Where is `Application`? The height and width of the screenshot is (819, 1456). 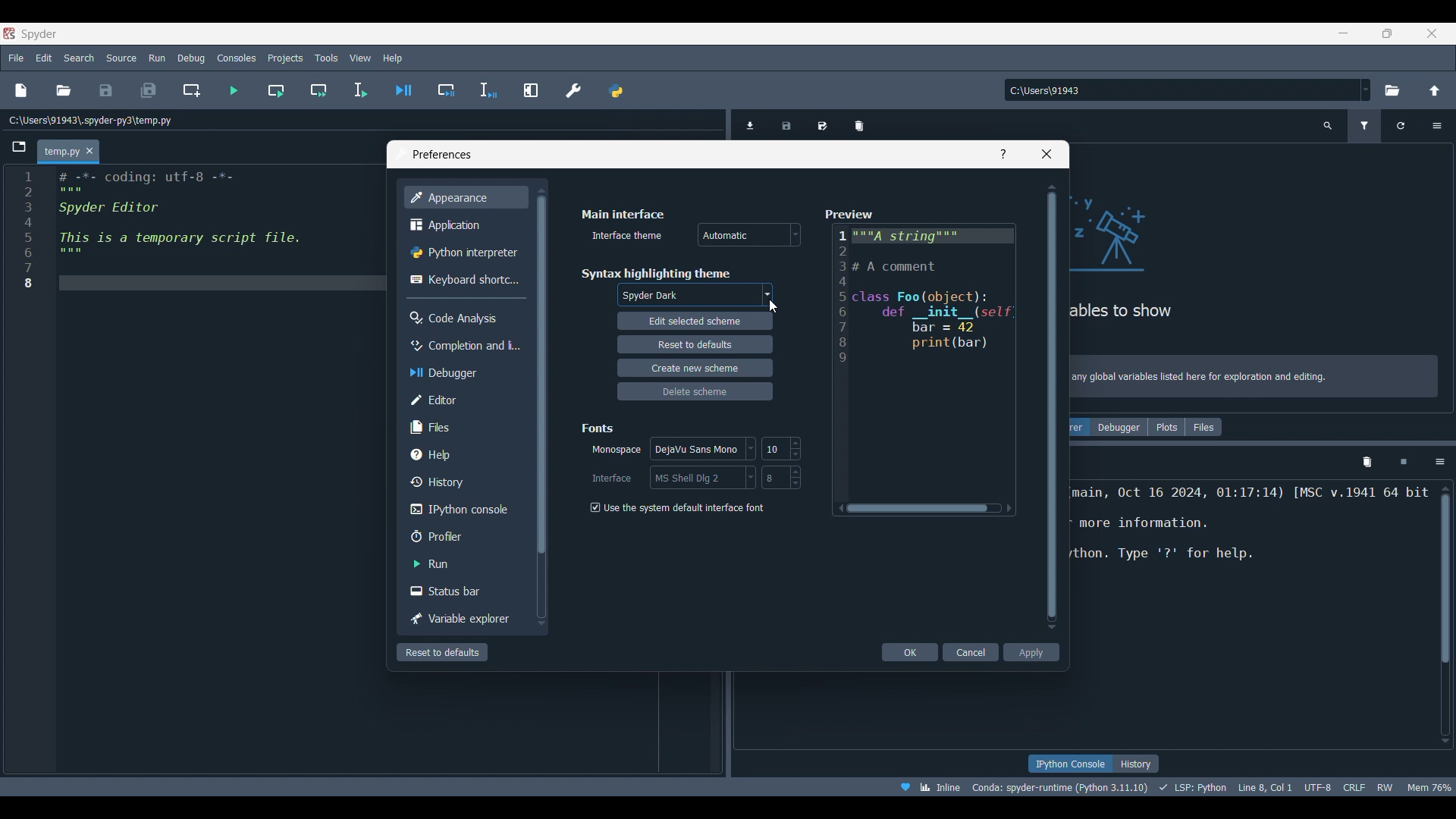 Application is located at coordinates (463, 224).